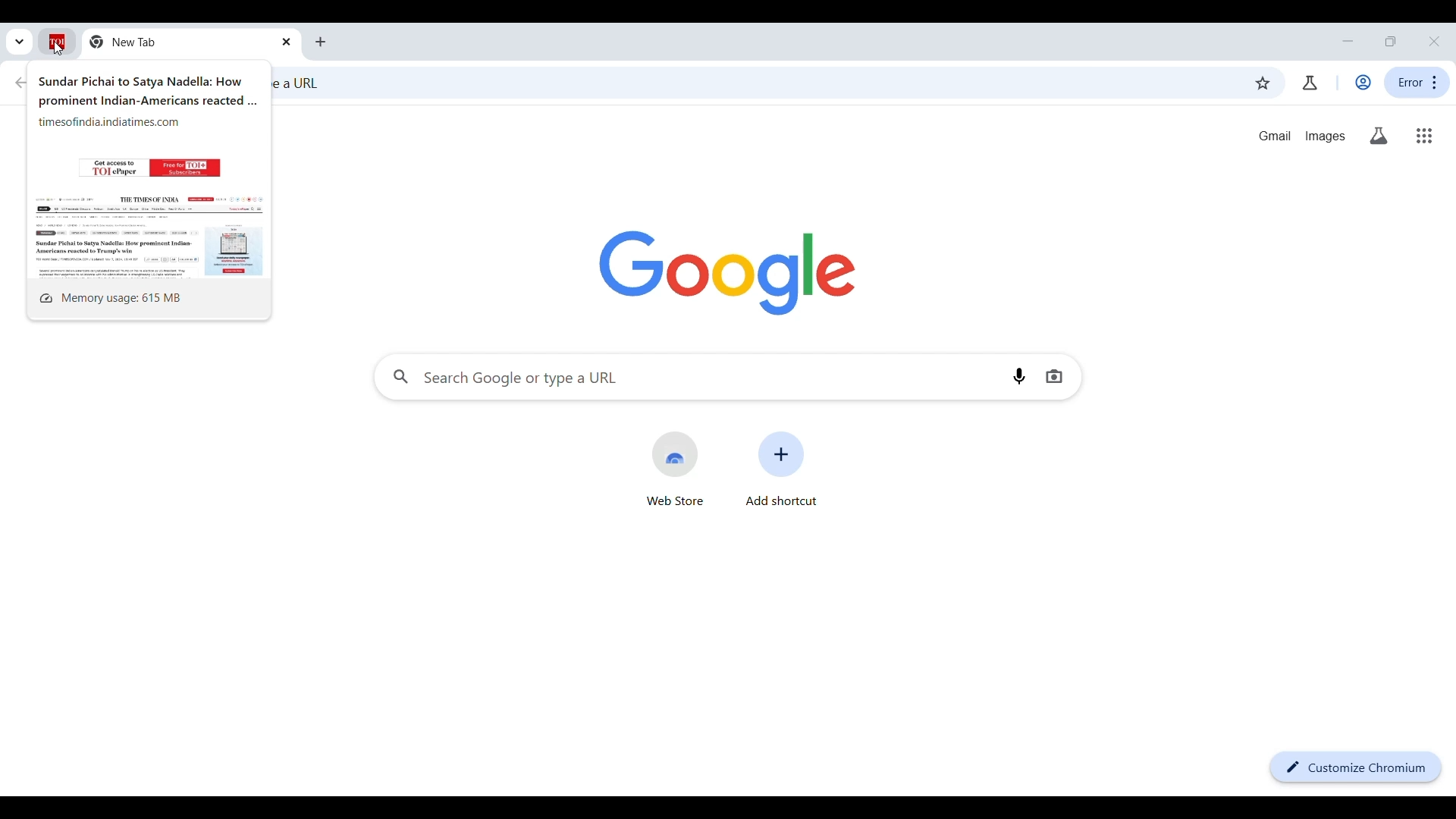 Image resolution: width=1456 pixels, height=819 pixels. What do you see at coordinates (286, 42) in the screenshot?
I see `Close current tab` at bounding box center [286, 42].